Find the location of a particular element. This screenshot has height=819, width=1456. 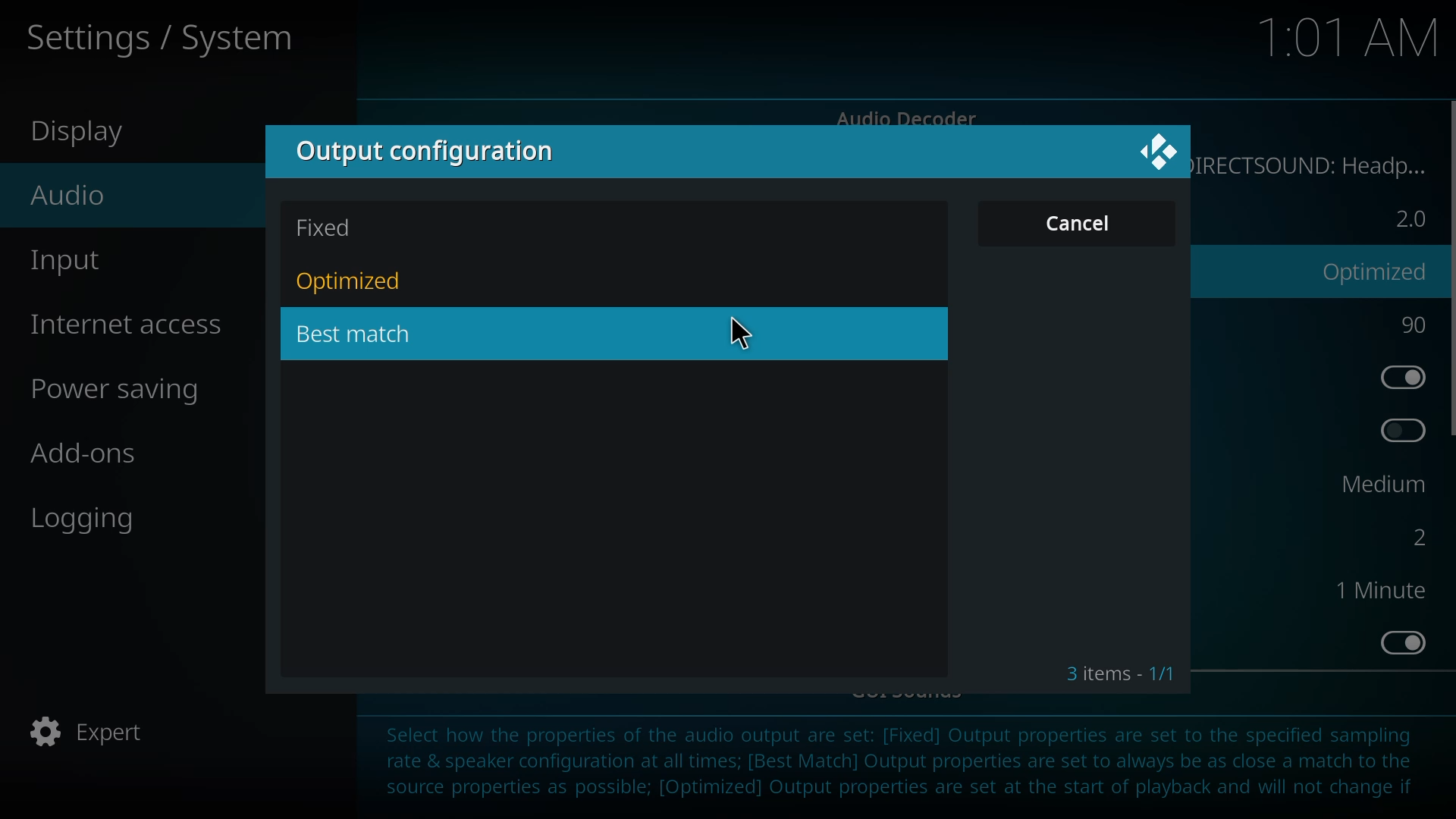

2 is located at coordinates (1409, 219).